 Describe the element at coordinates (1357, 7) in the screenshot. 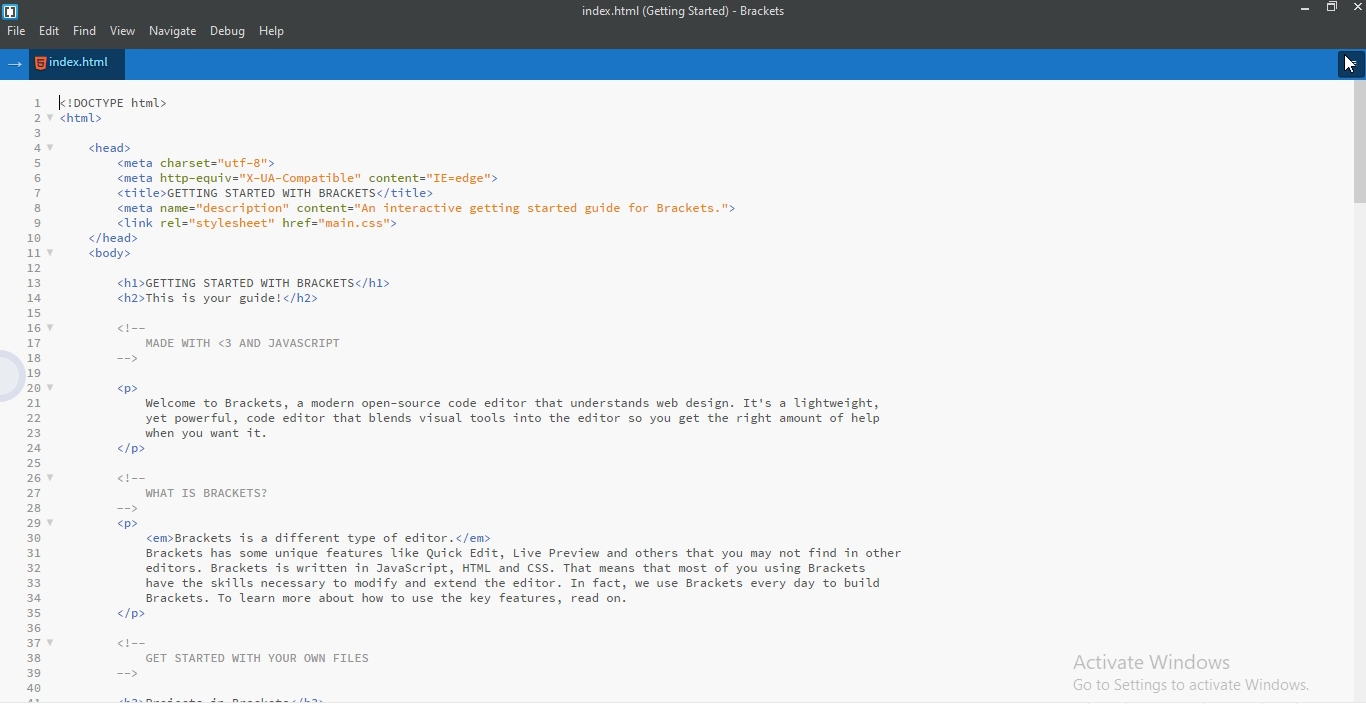

I see `close` at that location.